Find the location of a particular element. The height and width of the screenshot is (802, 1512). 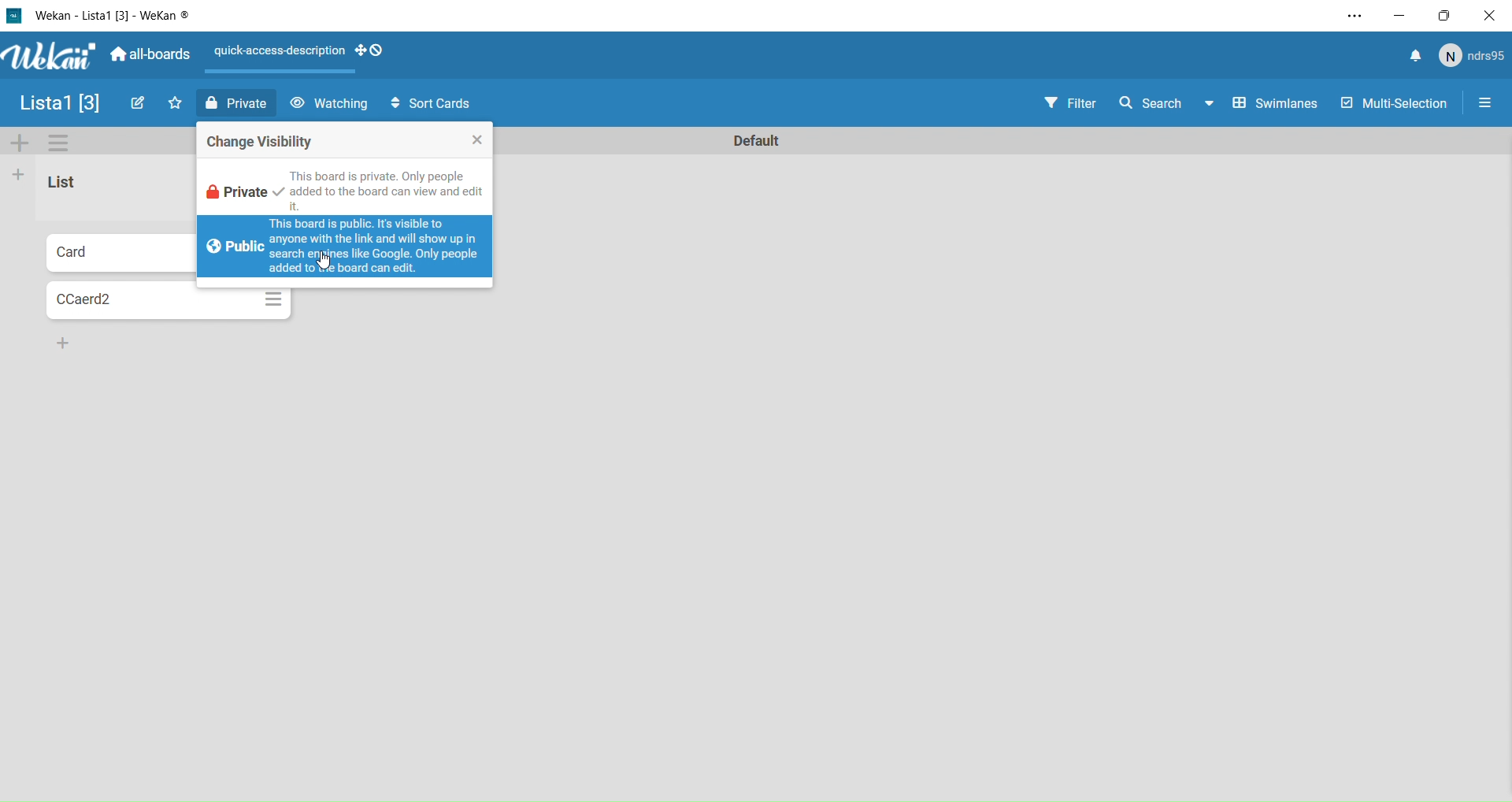

Private  is located at coordinates (341, 187).